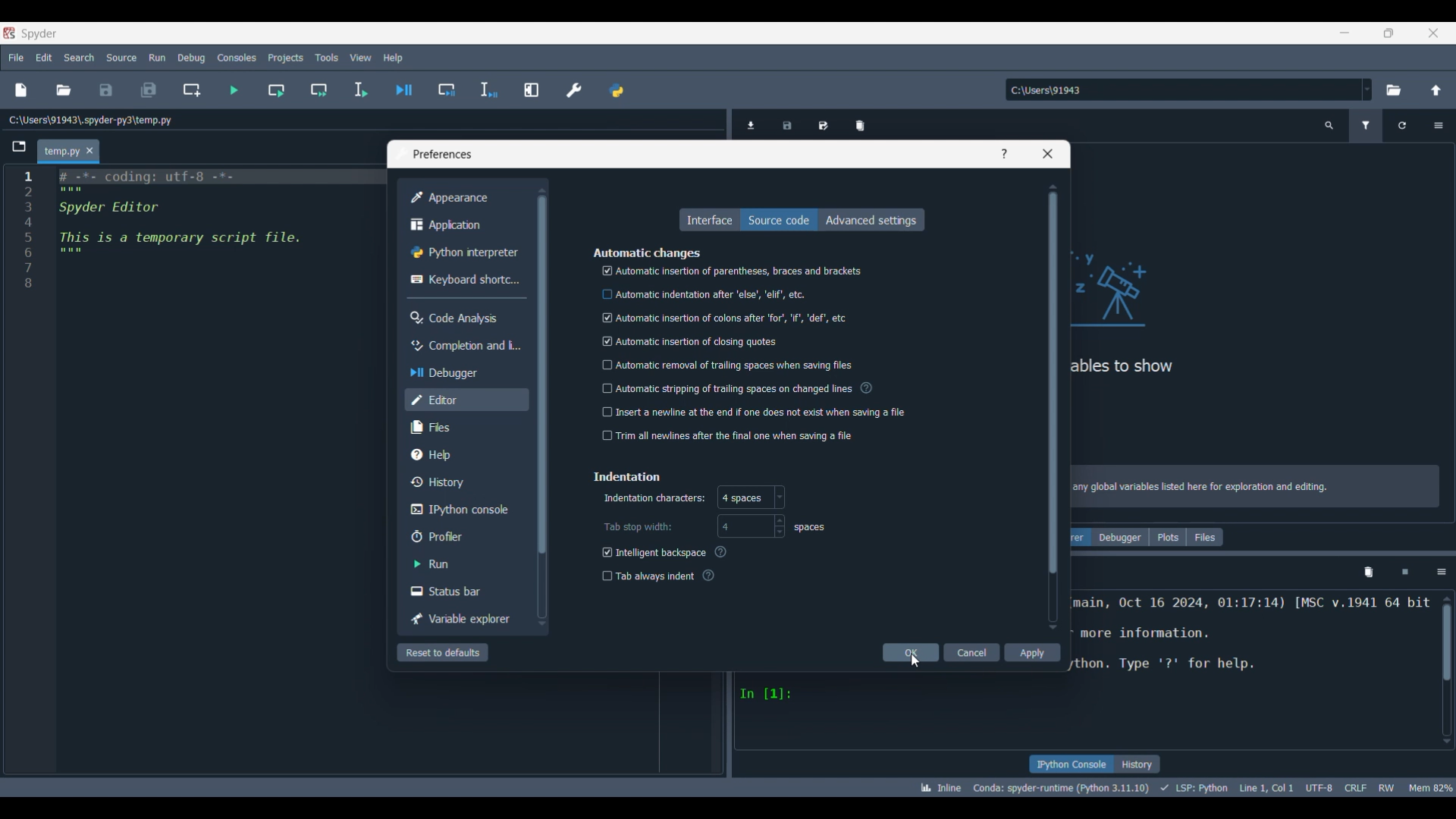 This screenshot has height=819, width=1456. What do you see at coordinates (1437, 90) in the screenshot?
I see `Change to parent directory` at bounding box center [1437, 90].